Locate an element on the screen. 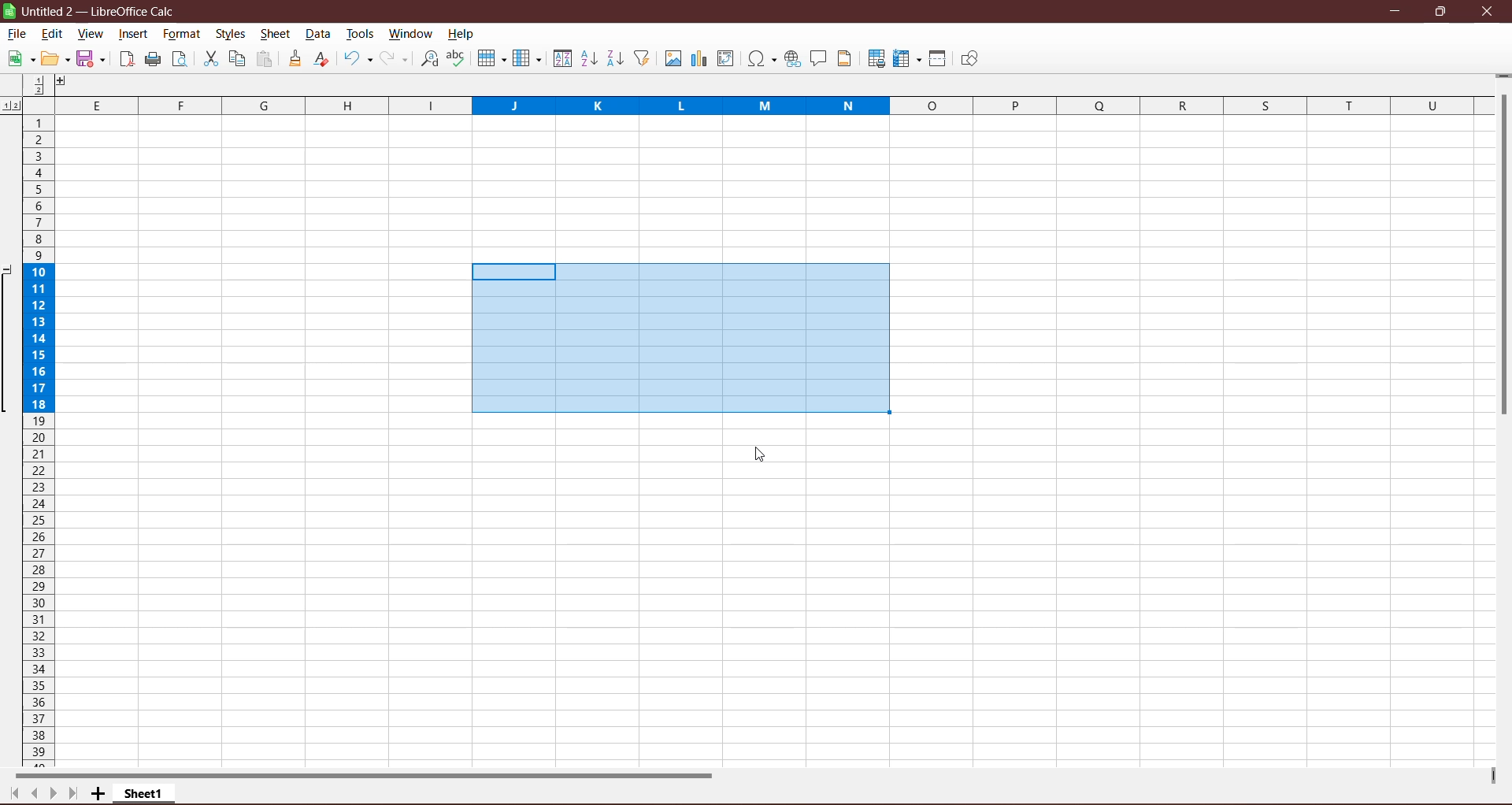 This screenshot has width=1512, height=805. Split Windows is located at coordinates (938, 58).